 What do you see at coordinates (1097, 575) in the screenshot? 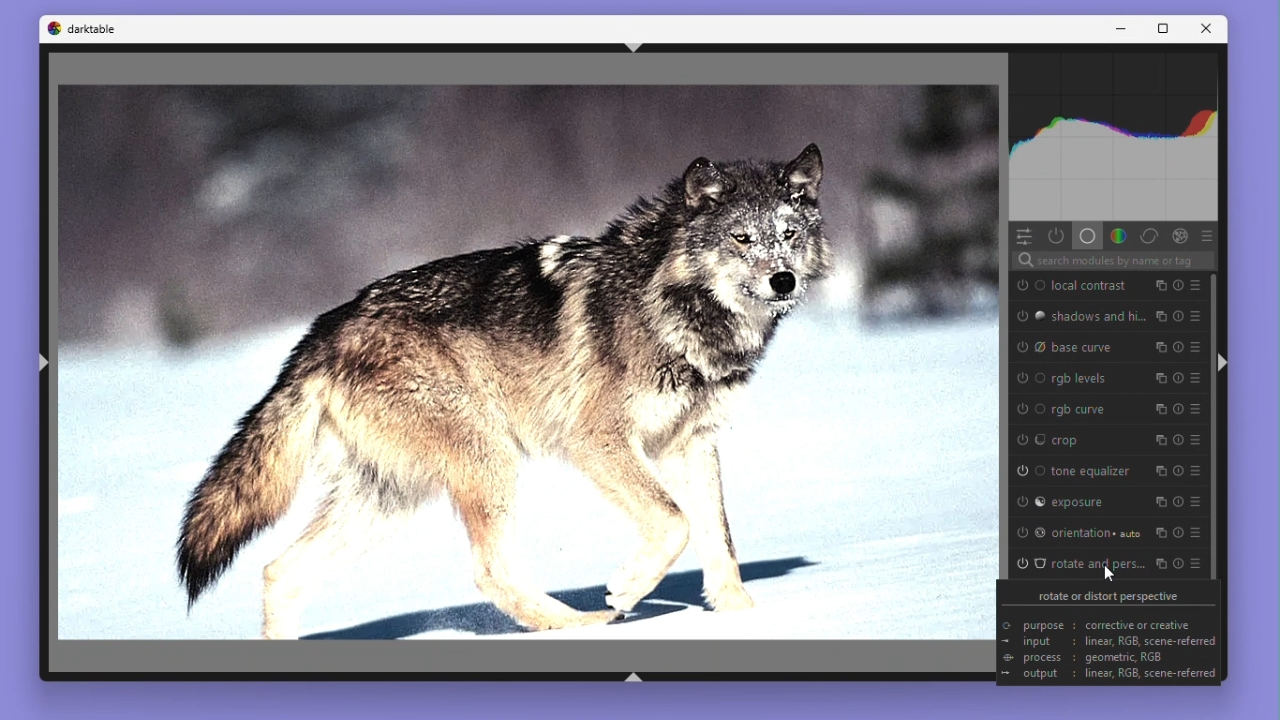
I see `Cursor` at bounding box center [1097, 575].